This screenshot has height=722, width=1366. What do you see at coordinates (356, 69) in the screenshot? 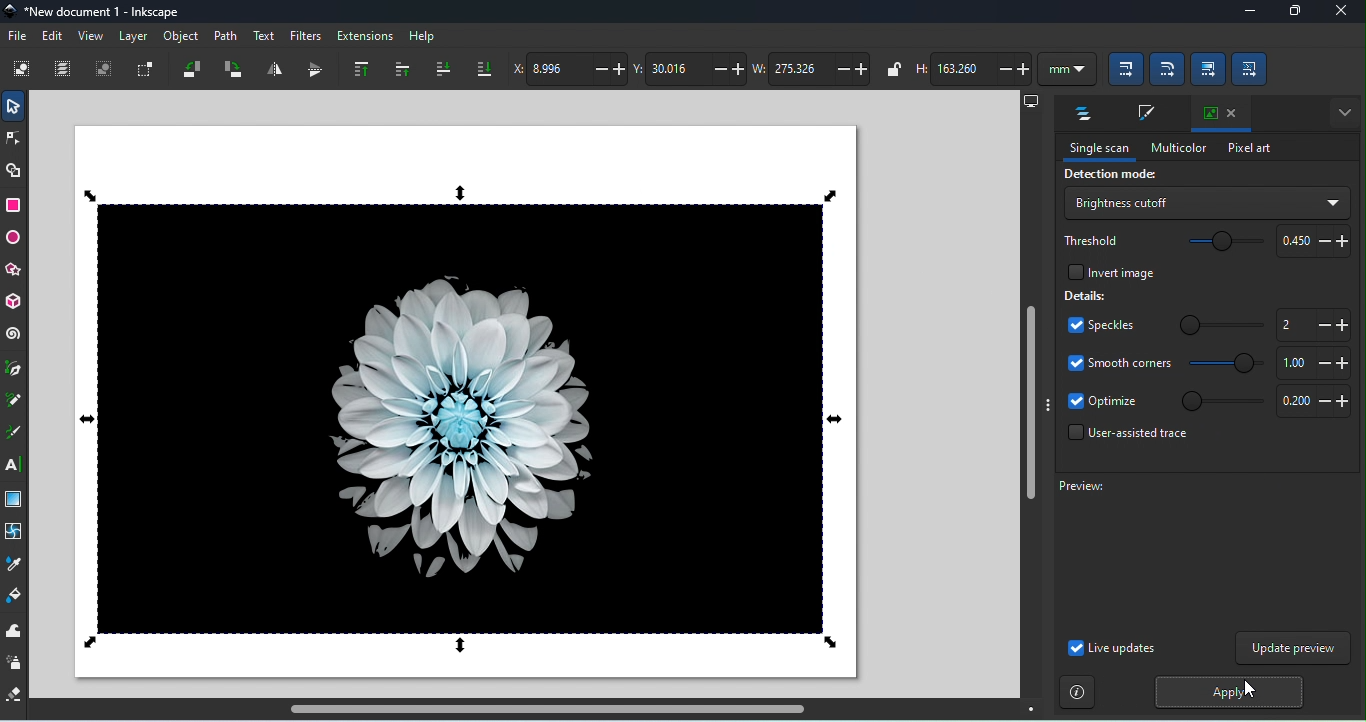
I see `Raise selection to top` at bounding box center [356, 69].